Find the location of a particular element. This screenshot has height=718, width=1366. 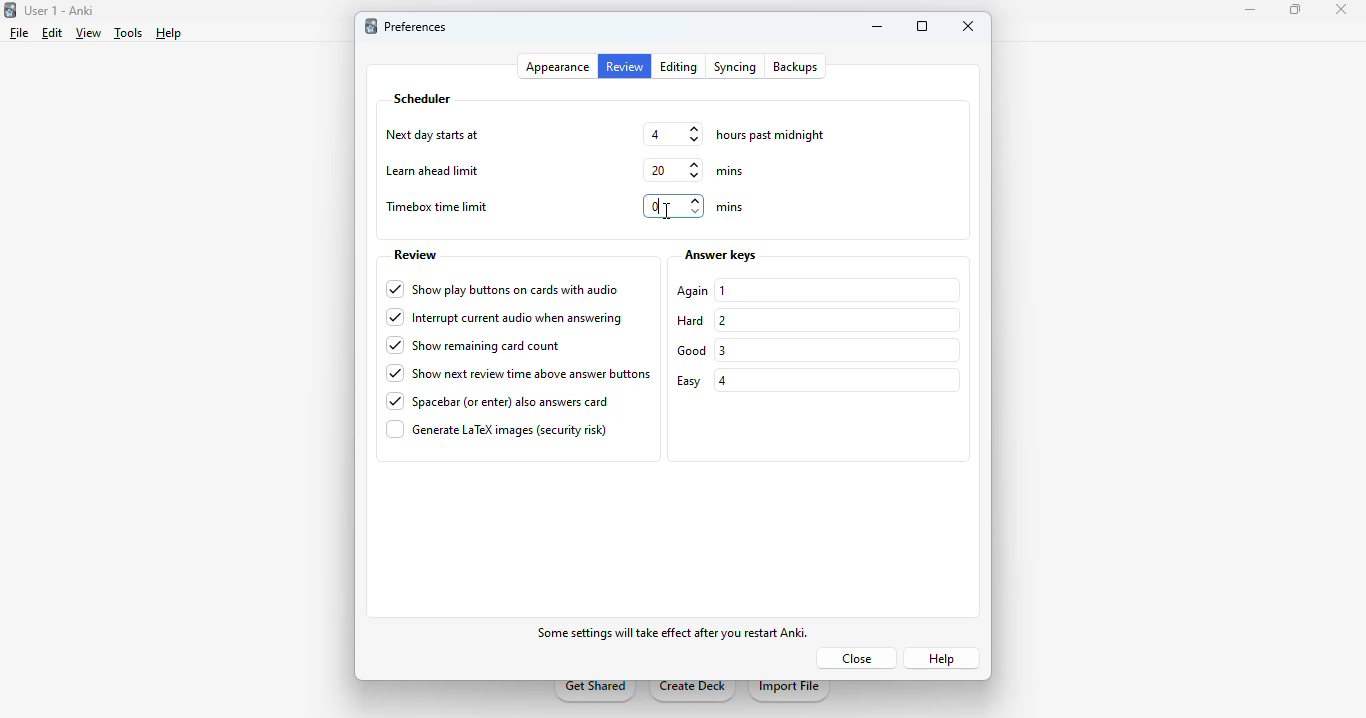

generate LaTex images (security risk) is located at coordinates (497, 429).